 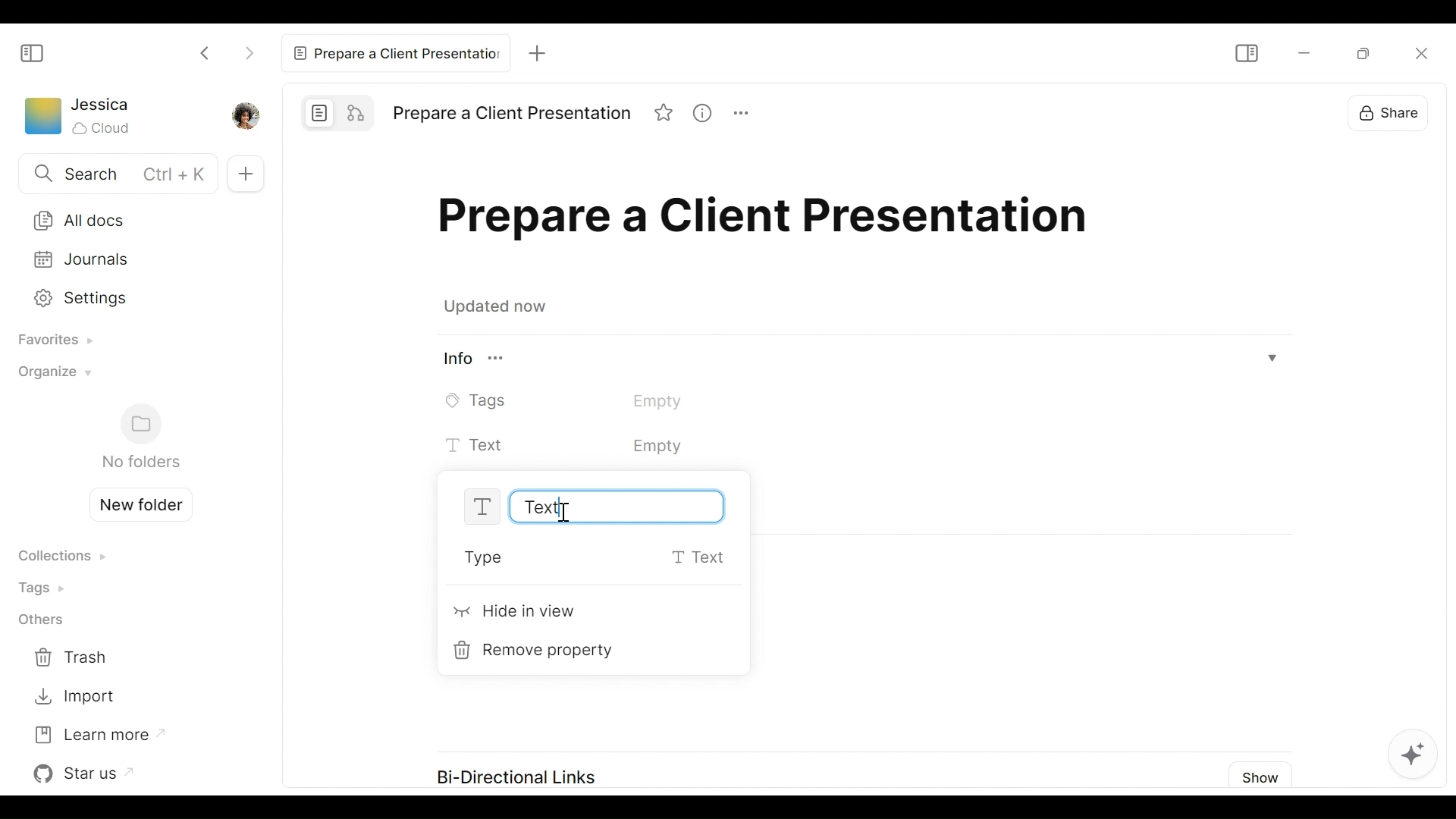 What do you see at coordinates (1414, 758) in the screenshot?
I see `AI` at bounding box center [1414, 758].